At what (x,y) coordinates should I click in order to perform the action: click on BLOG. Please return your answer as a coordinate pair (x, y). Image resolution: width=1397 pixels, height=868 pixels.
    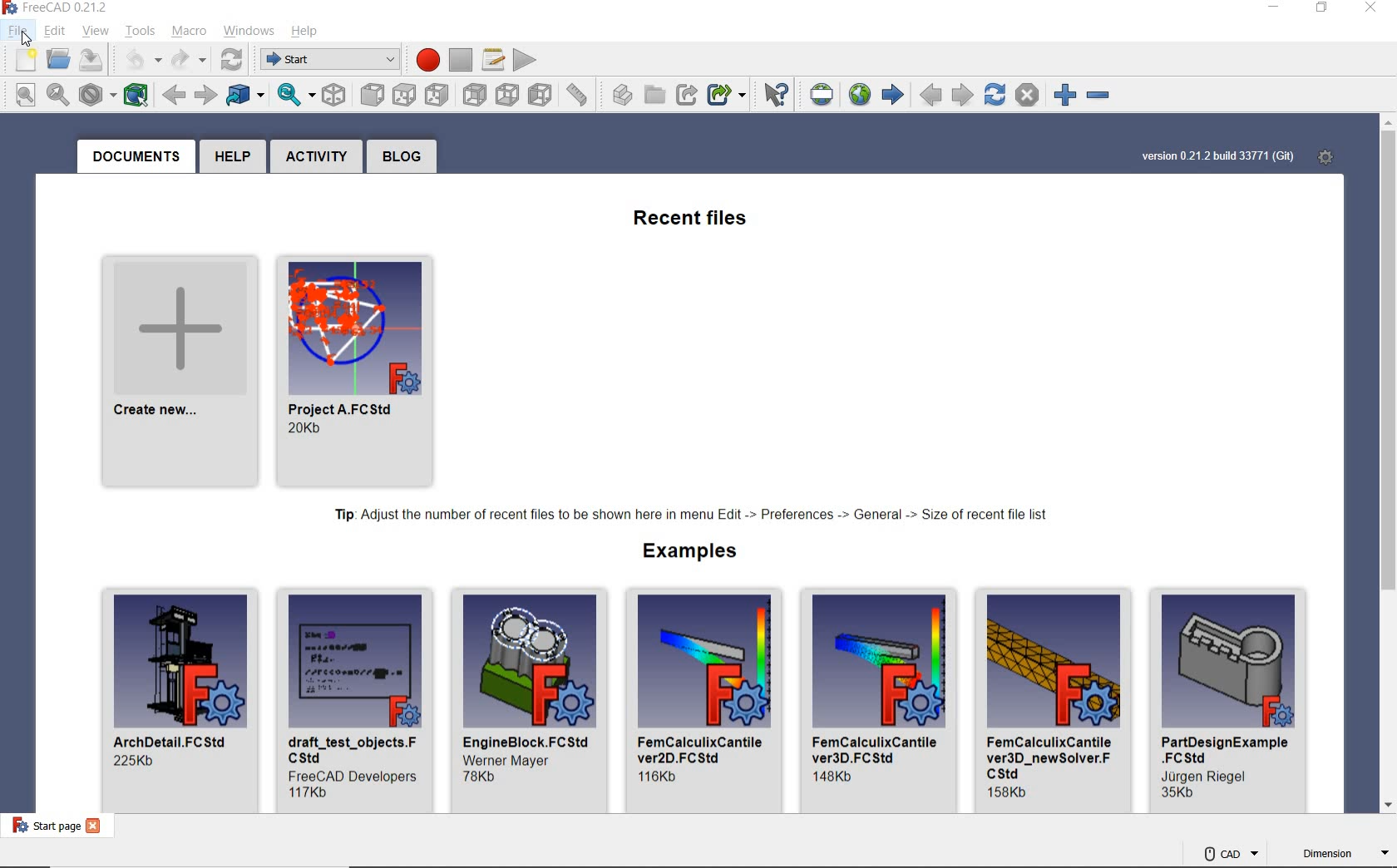
    Looking at the image, I should click on (402, 156).